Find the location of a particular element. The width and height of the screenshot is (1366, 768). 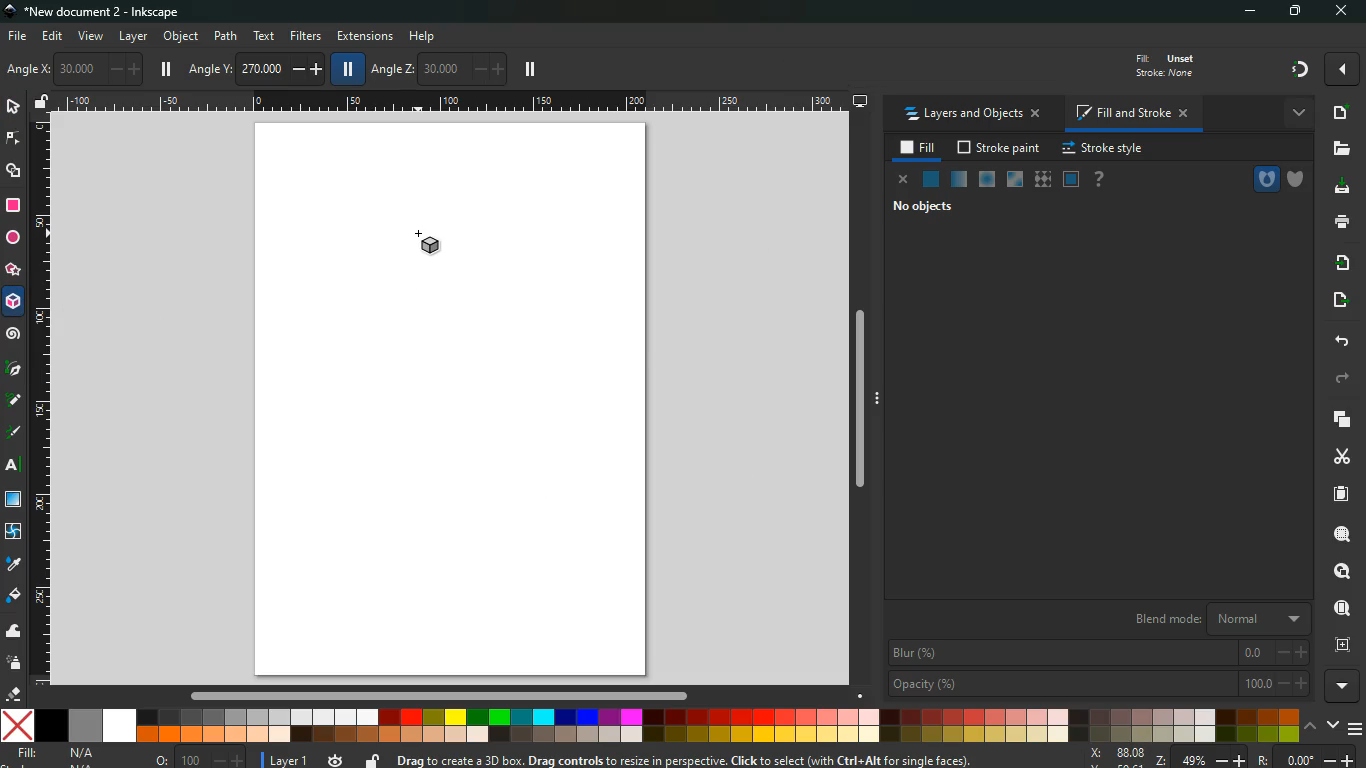

edit is located at coordinates (54, 36).